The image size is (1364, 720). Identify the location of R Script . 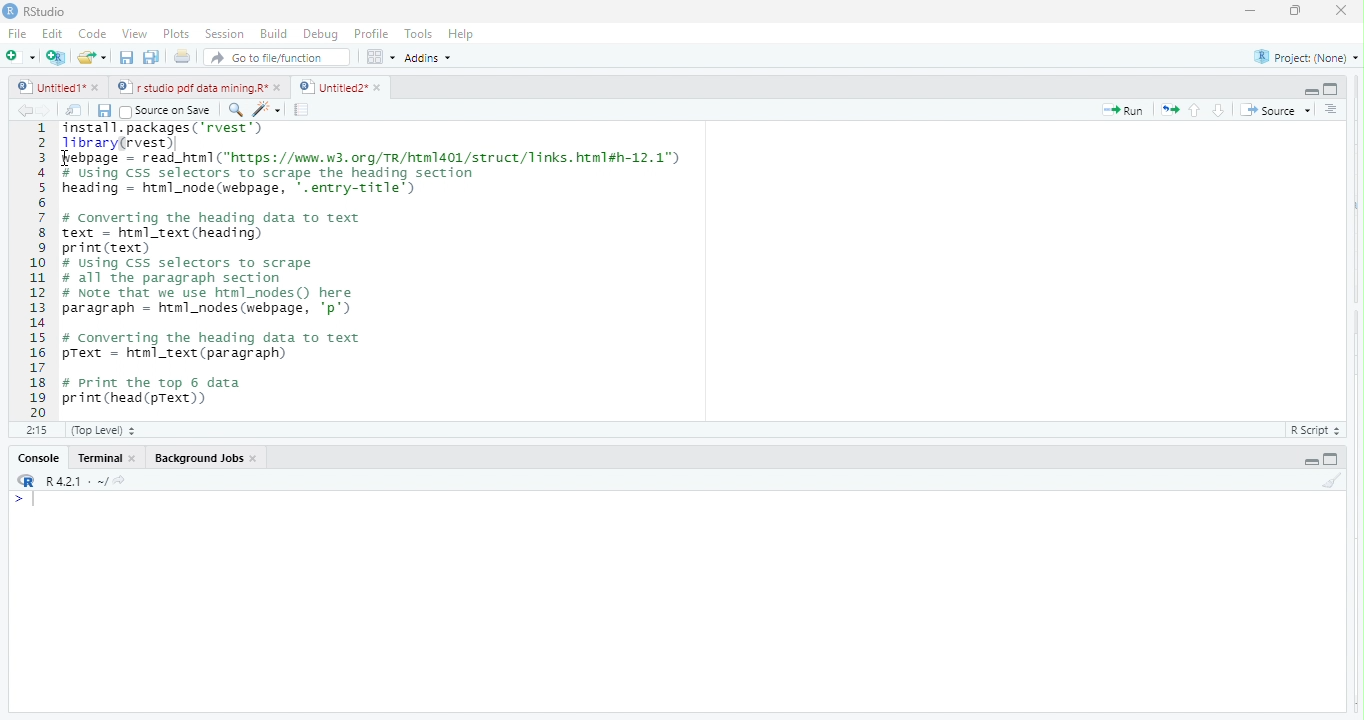
(1312, 431).